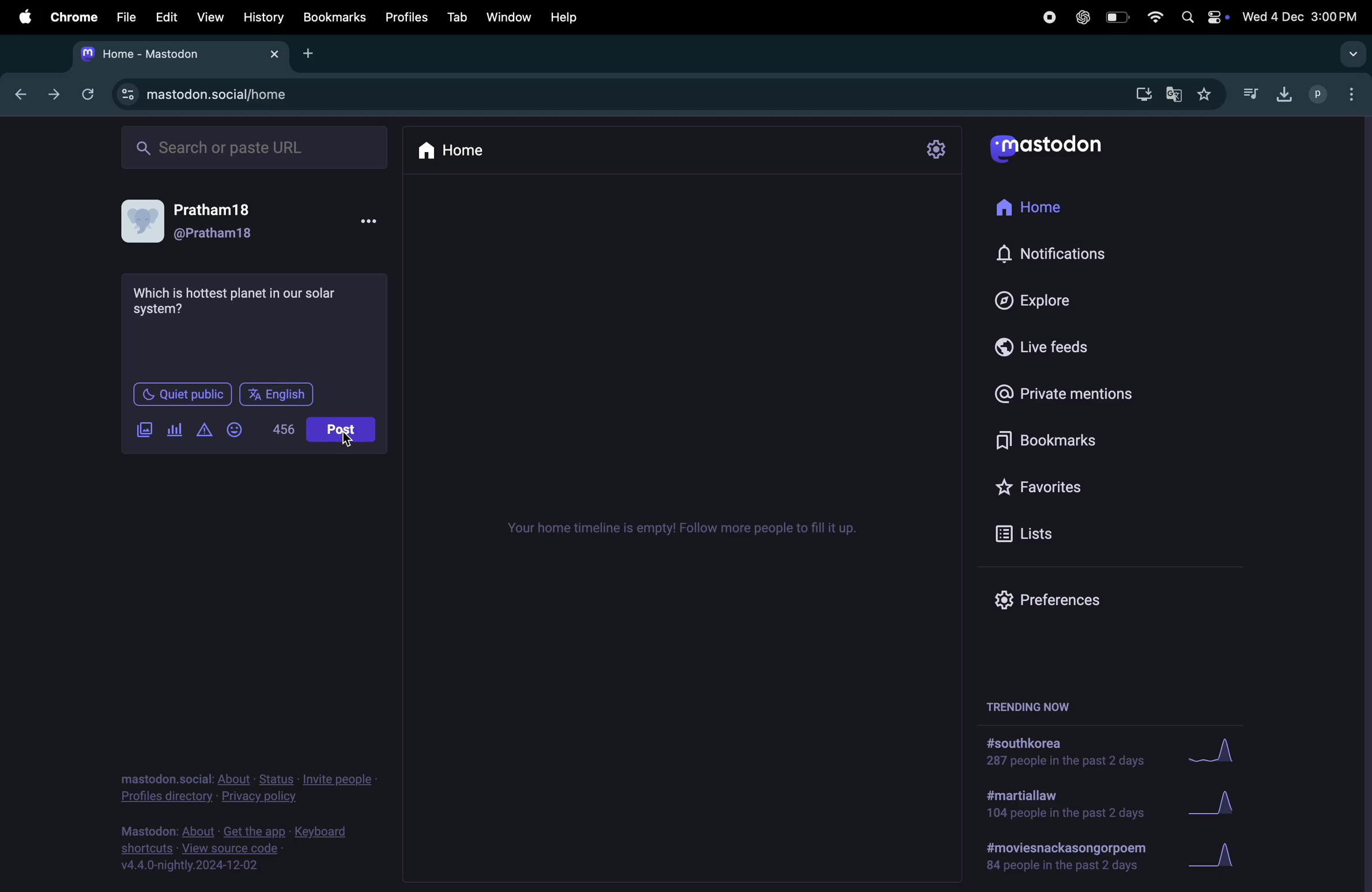  Describe the element at coordinates (1085, 391) in the screenshot. I see `private mentions` at that location.